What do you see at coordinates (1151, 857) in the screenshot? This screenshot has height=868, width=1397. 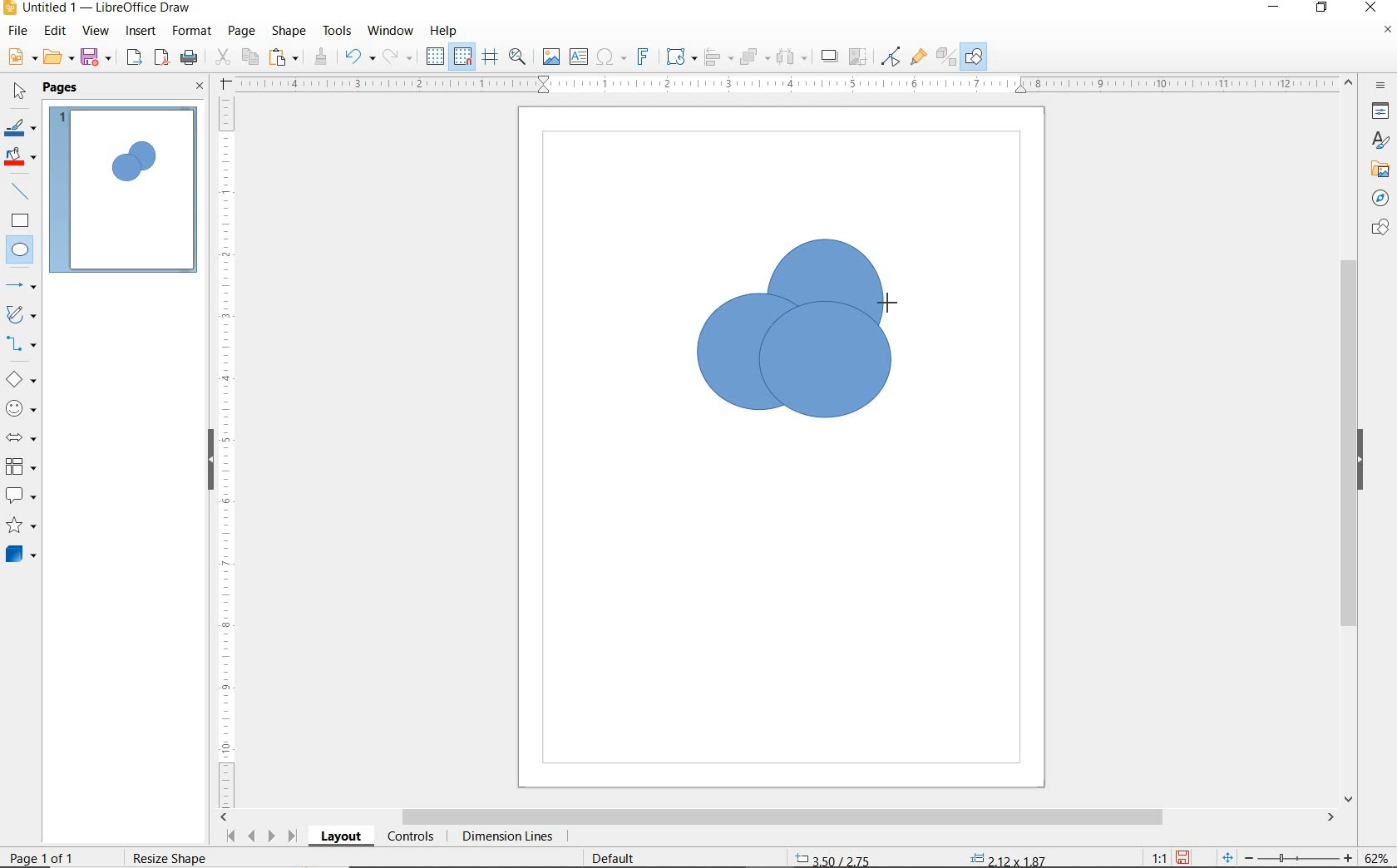 I see `SCALE FACTOR` at bounding box center [1151, 857].